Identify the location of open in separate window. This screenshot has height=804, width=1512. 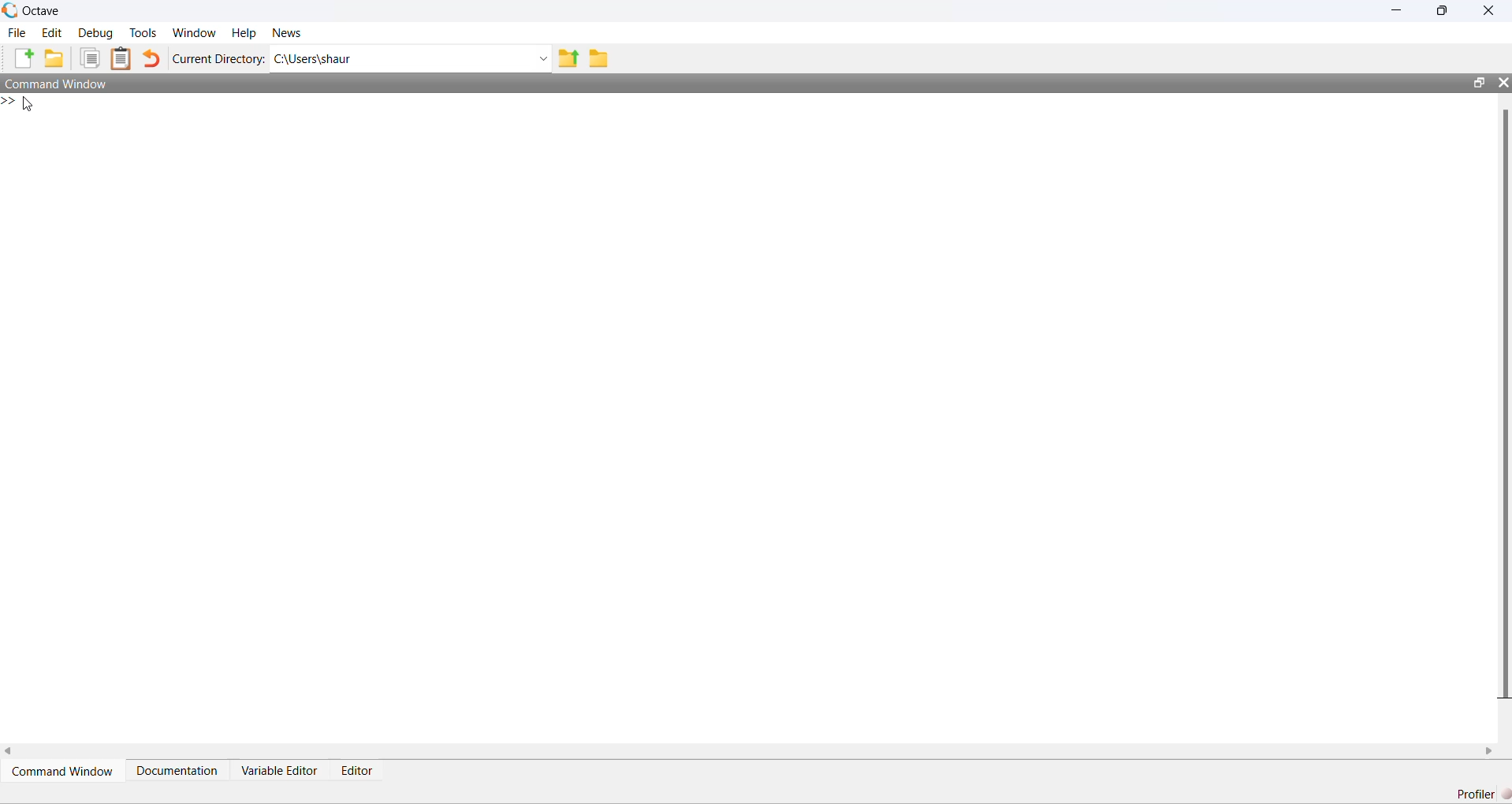
(1478, 83).